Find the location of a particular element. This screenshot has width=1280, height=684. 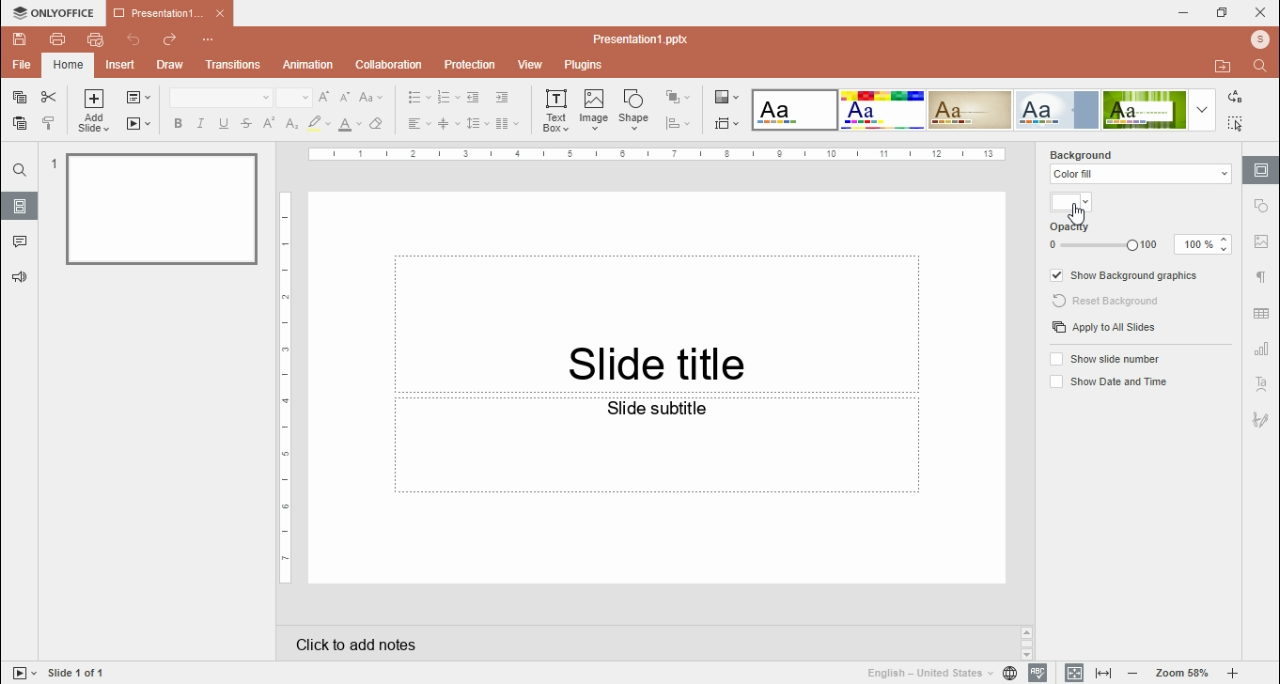

decrease indent is located at coordinates (474, 97).